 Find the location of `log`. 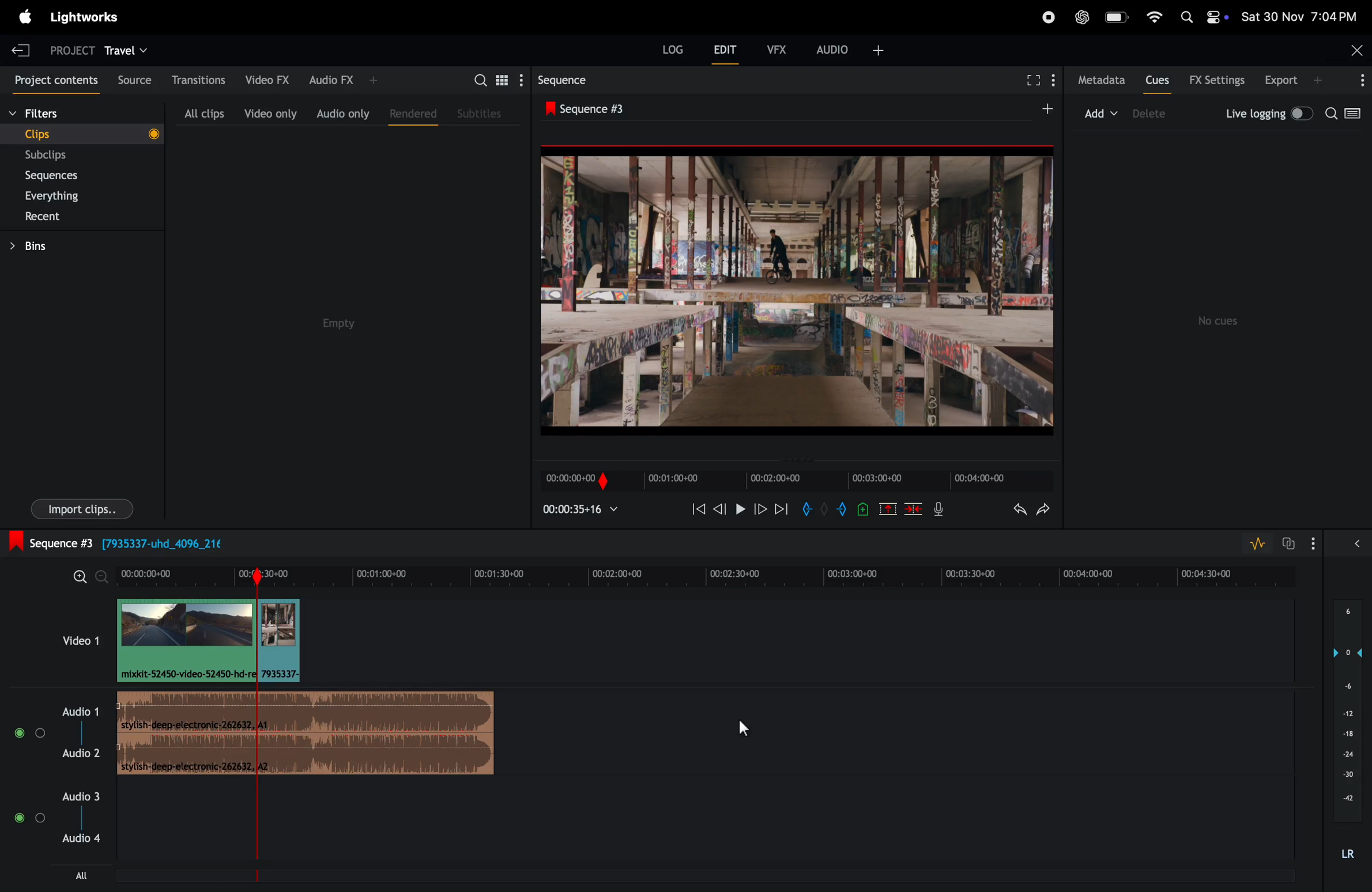

log is located at coordinates (666, 53).